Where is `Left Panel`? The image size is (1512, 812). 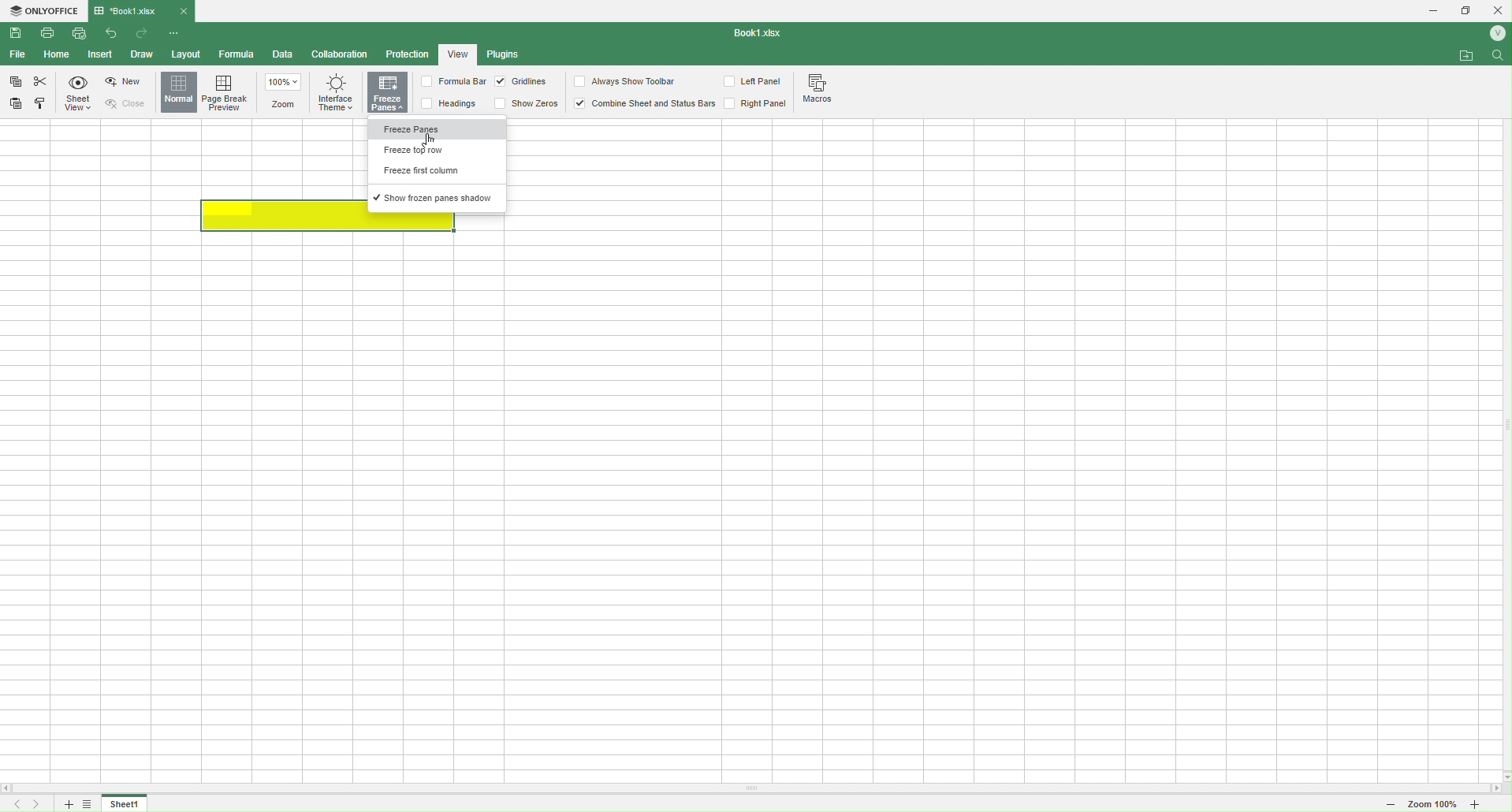 Left Panel is located at coordinates (755, 83).